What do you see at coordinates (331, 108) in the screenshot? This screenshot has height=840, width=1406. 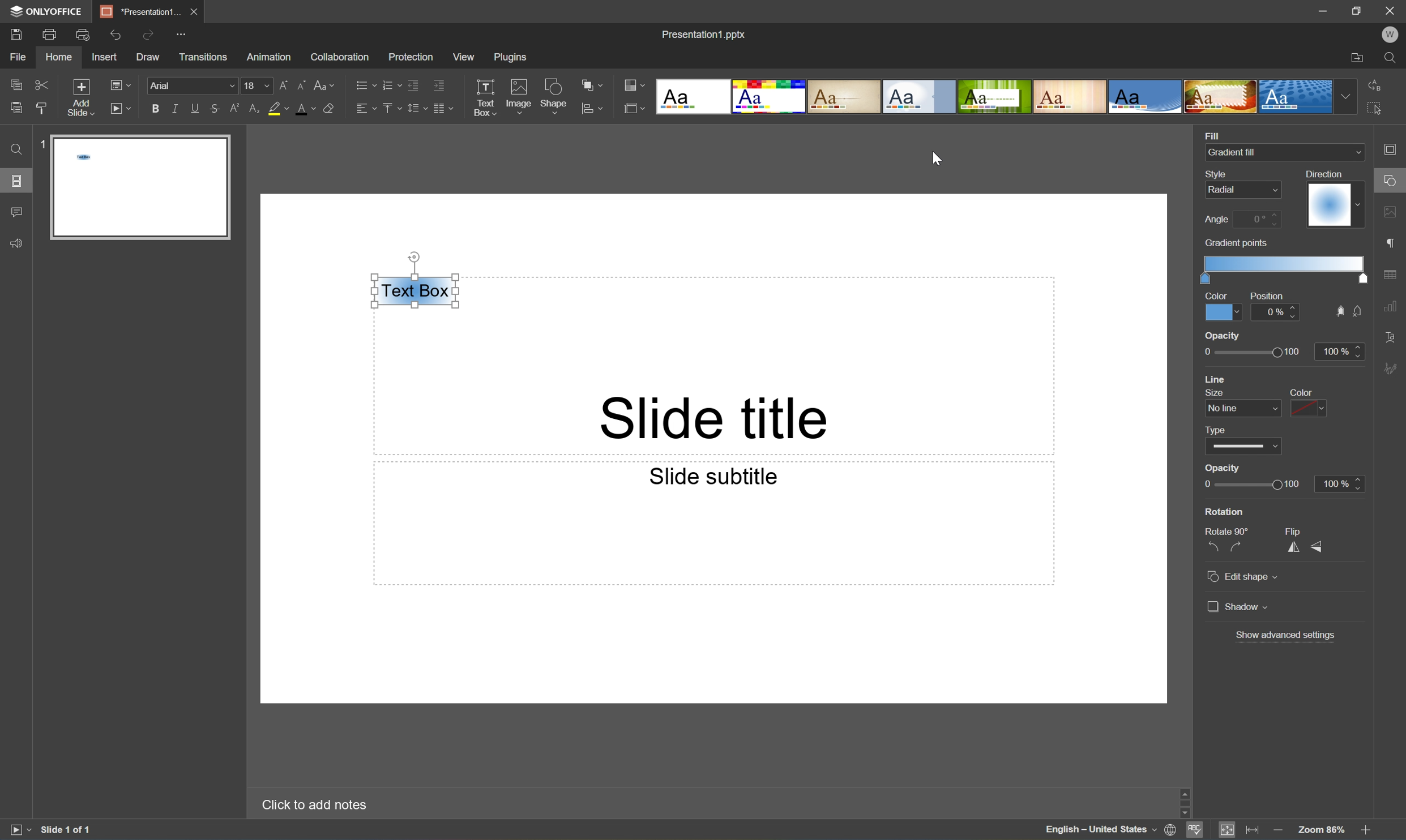 I see `Clear style` at bounding box center [331, 108].